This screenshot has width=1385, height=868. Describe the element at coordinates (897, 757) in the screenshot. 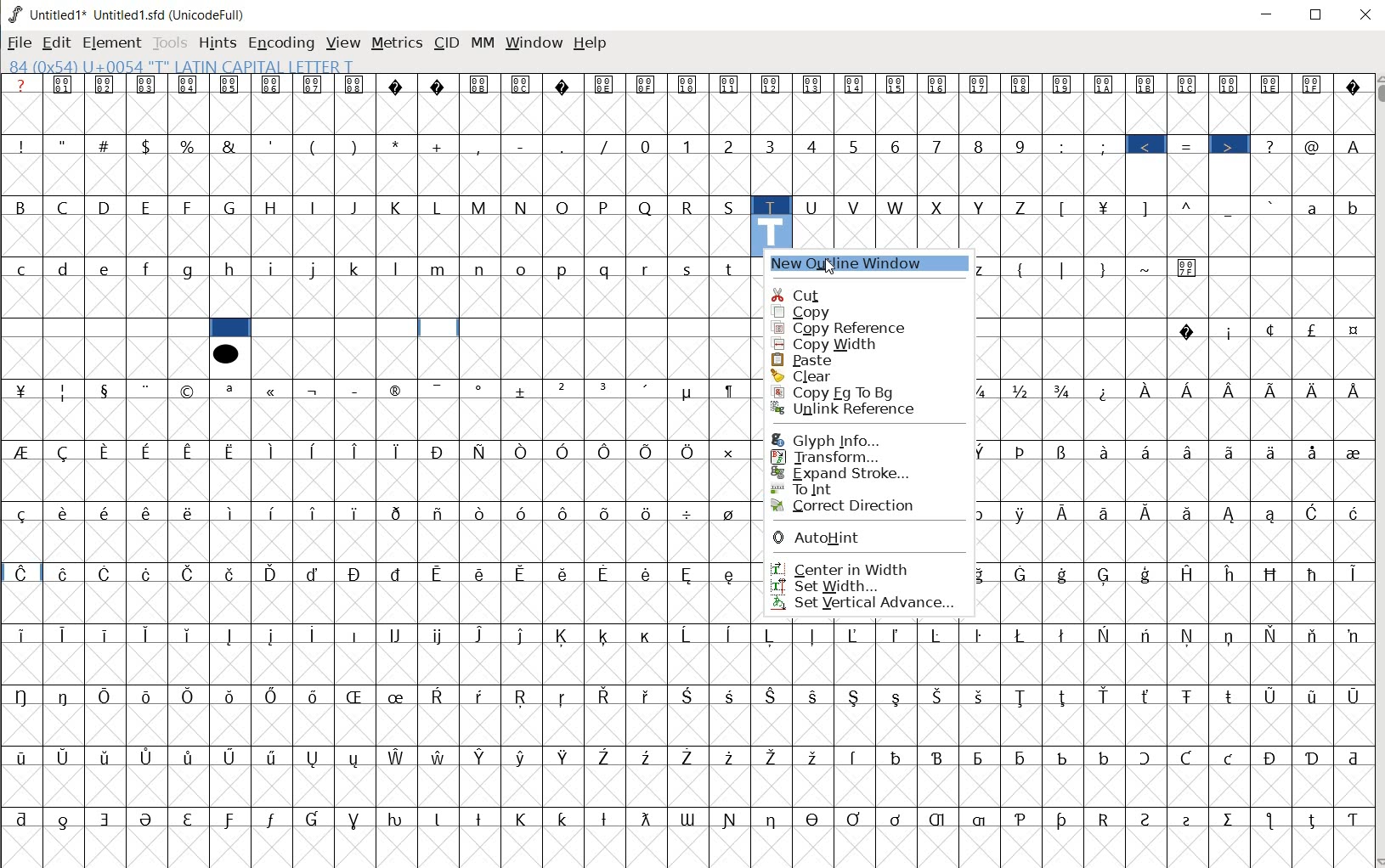

I see `Symbol` at that location.